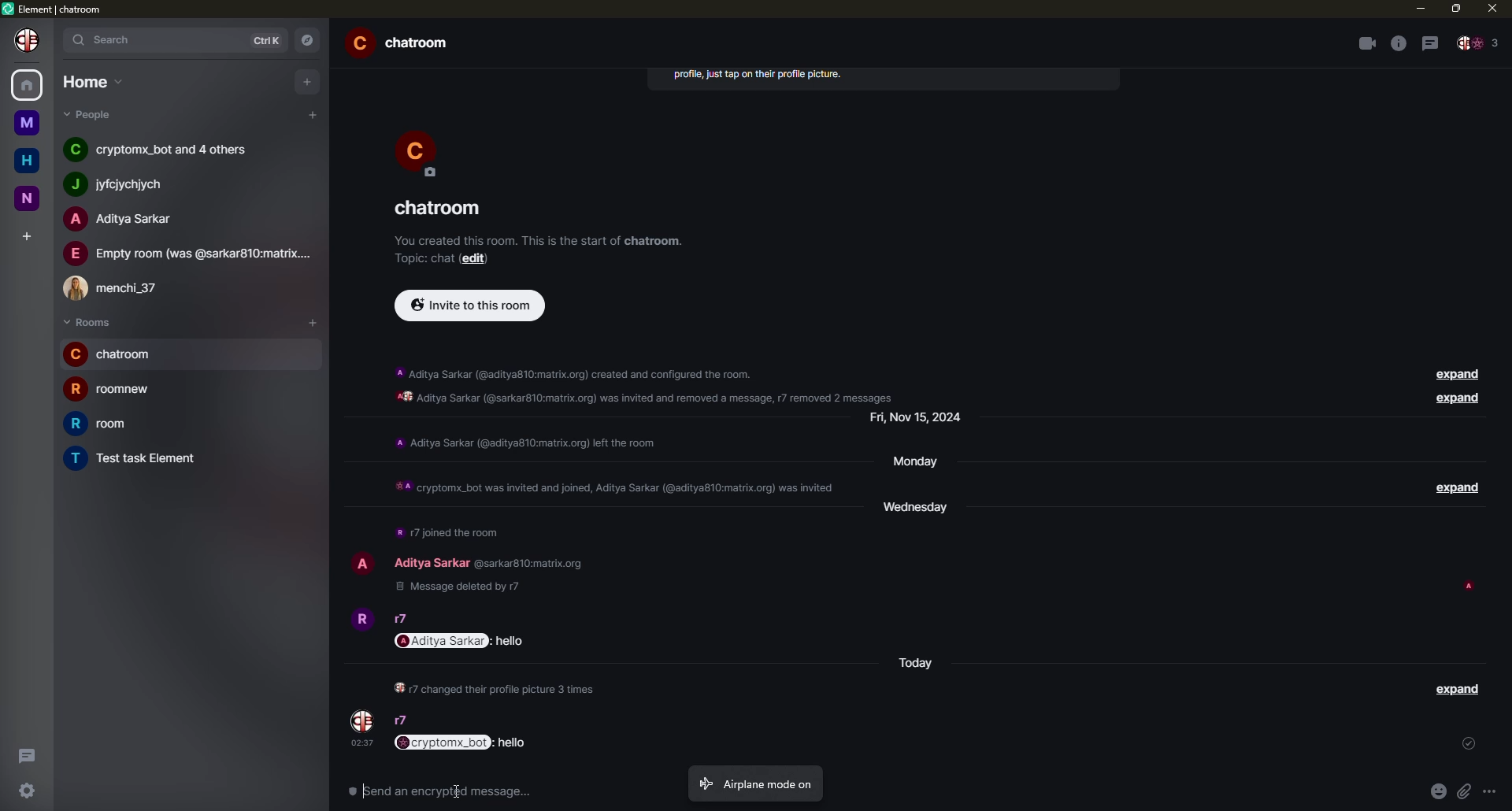 This screenshot has height=811, width=1512. I want to click on element, so click(55, 8).